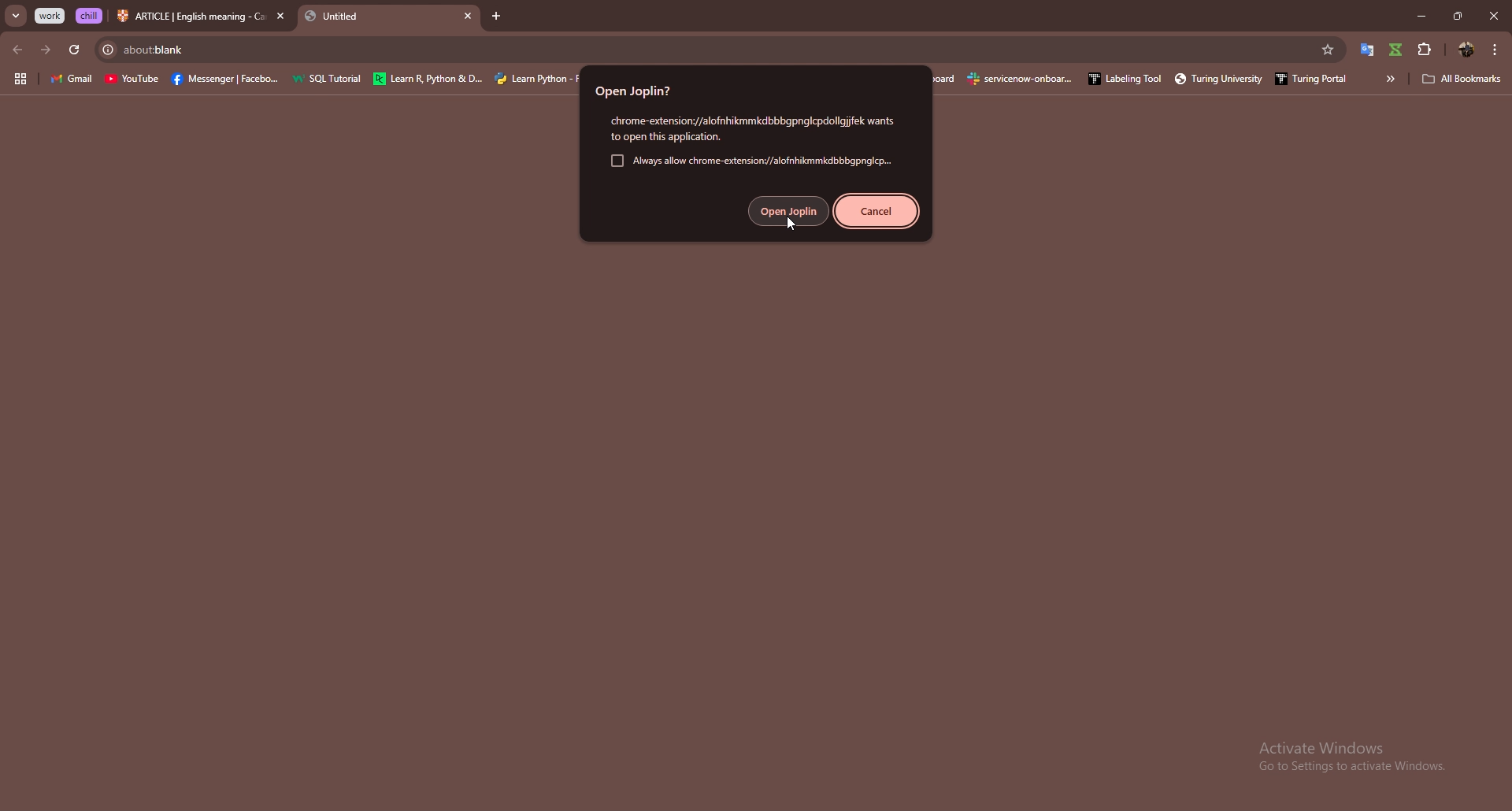 This screenshot has width=1512, height=811. Describe the element at coordinates (191, 18) in the screenshot. I see `tab` at that location.